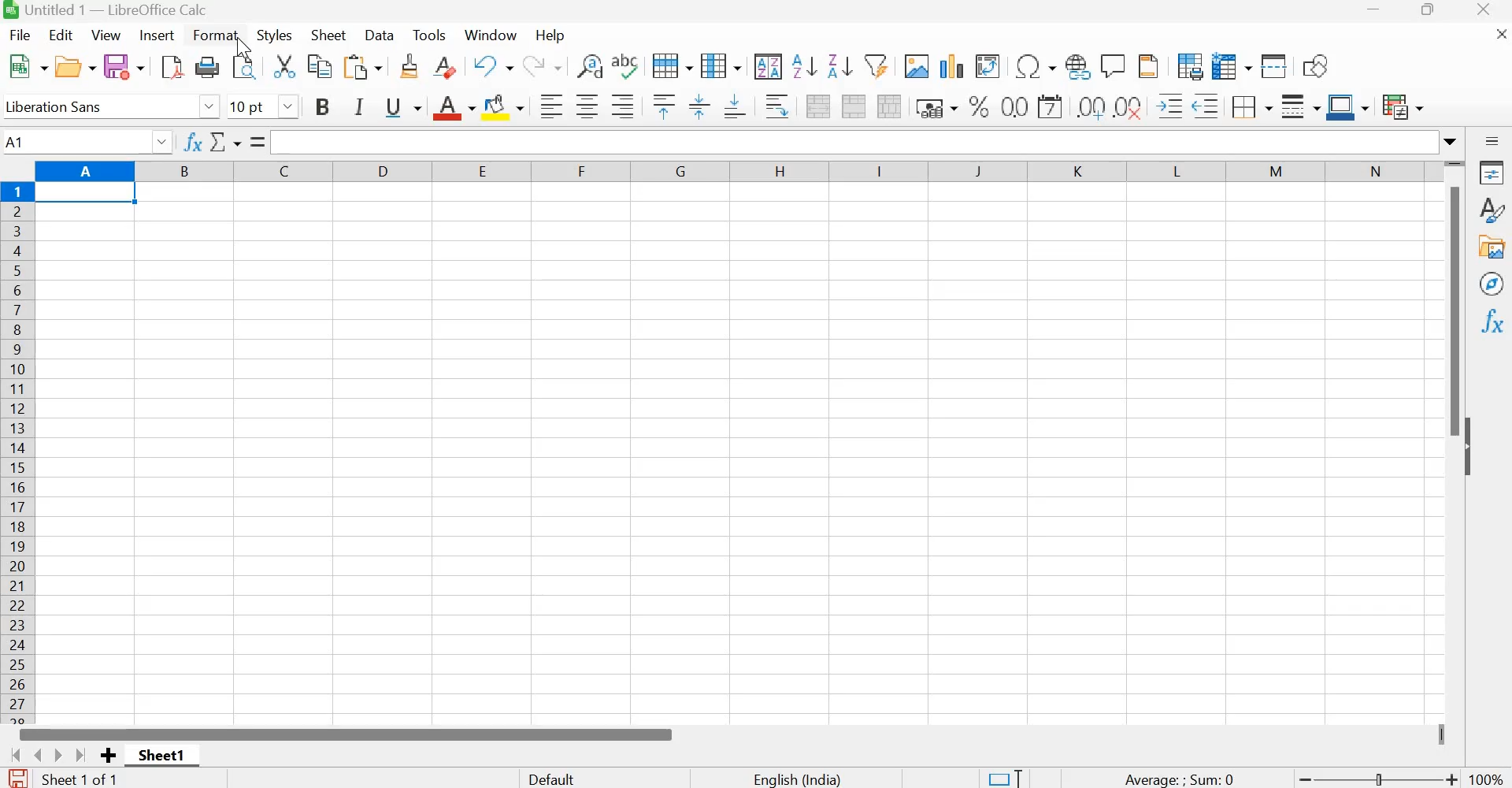 The width and height of the screenshot is (1512, 788). What do you see at coordinates (17, 777) in the screenshot?
I see `The document has not been modified since the last save` at bounding box center [17, 777].